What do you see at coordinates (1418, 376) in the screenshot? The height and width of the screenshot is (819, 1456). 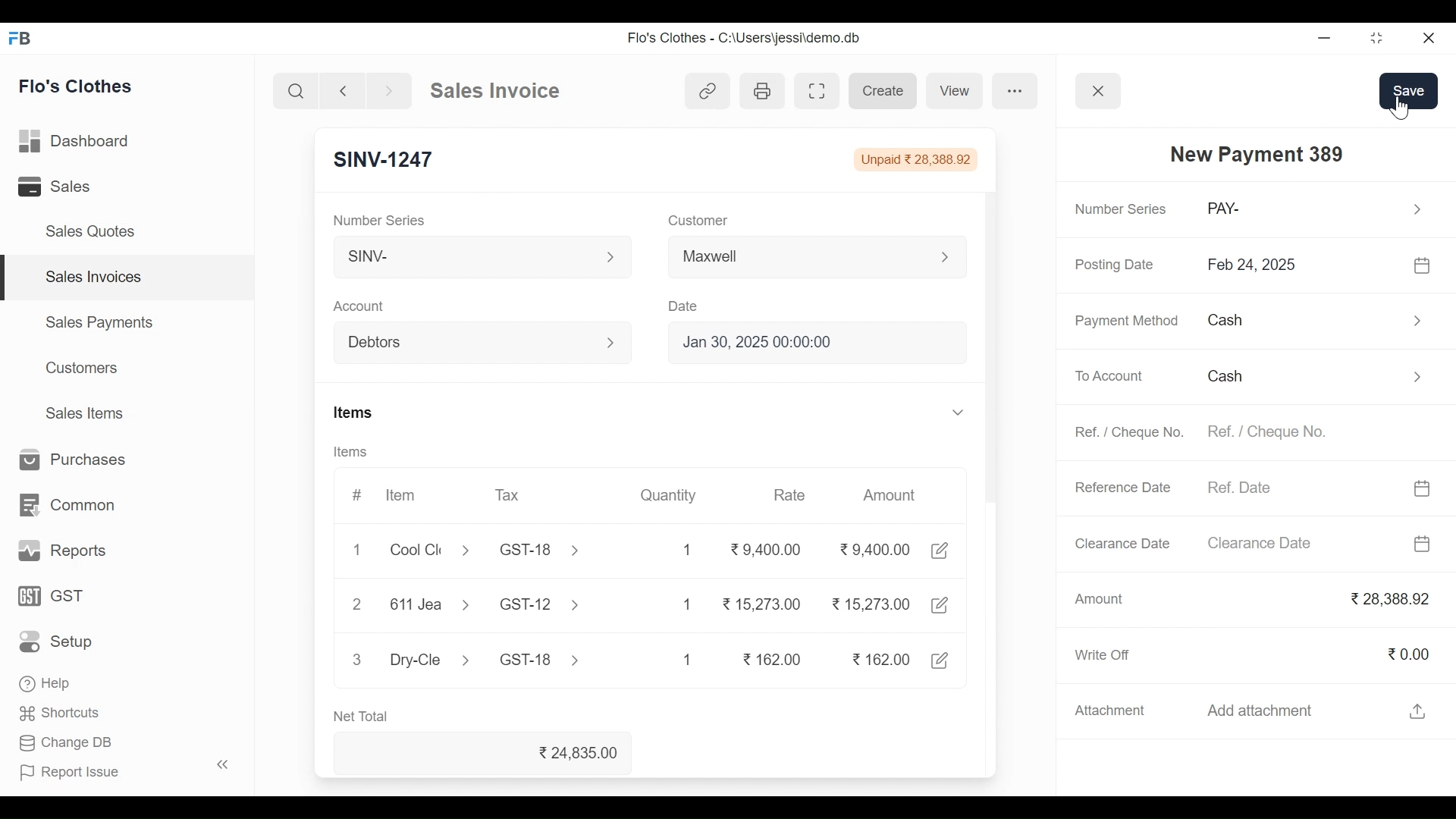 I see `Expand` at bounding box center [1418, 376].